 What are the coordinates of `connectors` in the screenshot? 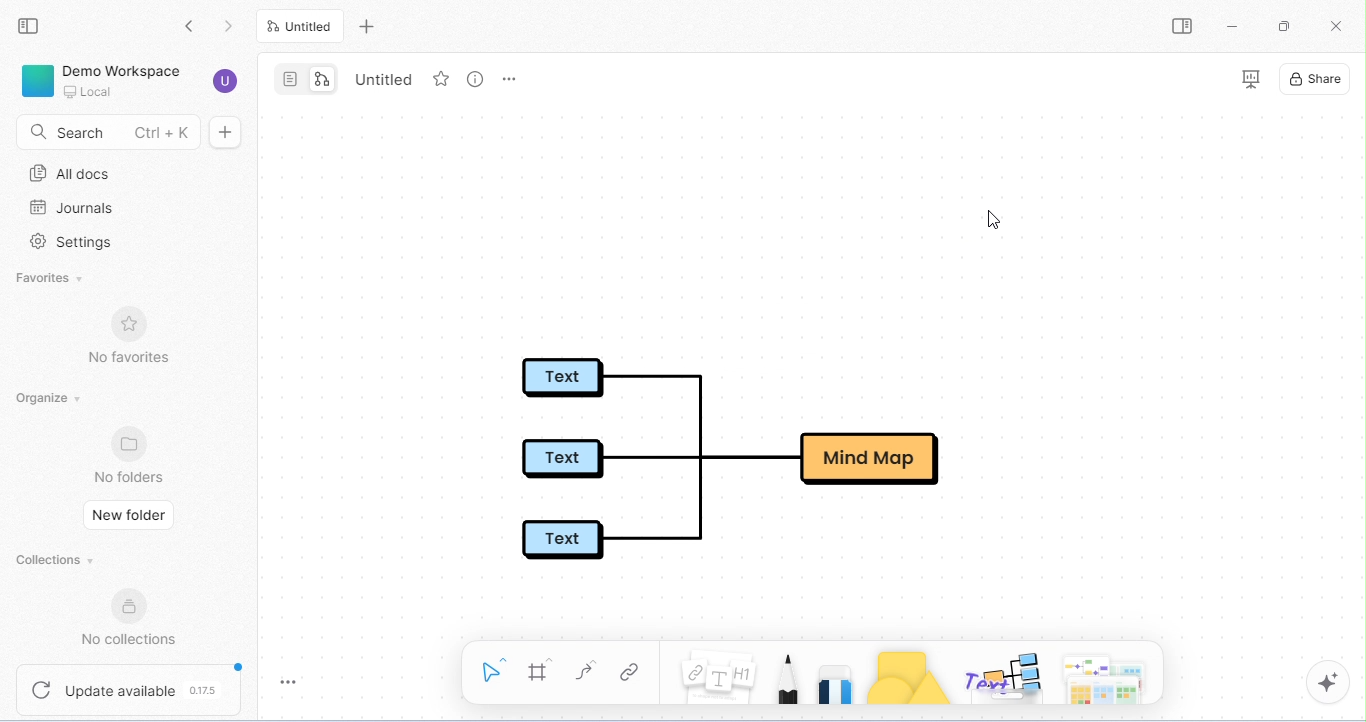 It's located at (586, 672).